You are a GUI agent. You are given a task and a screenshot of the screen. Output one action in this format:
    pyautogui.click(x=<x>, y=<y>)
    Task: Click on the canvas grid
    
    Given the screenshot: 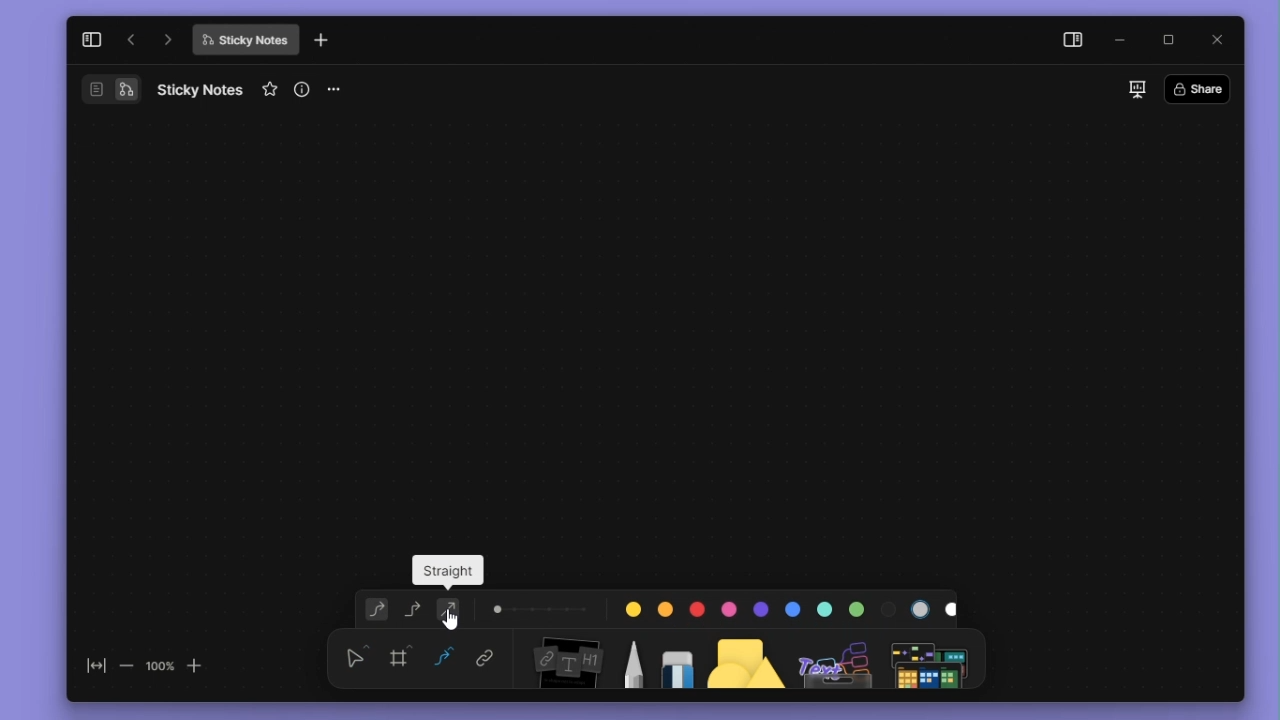 What is the action you would take?
    pyautogui.click(x=640, y=324)
    